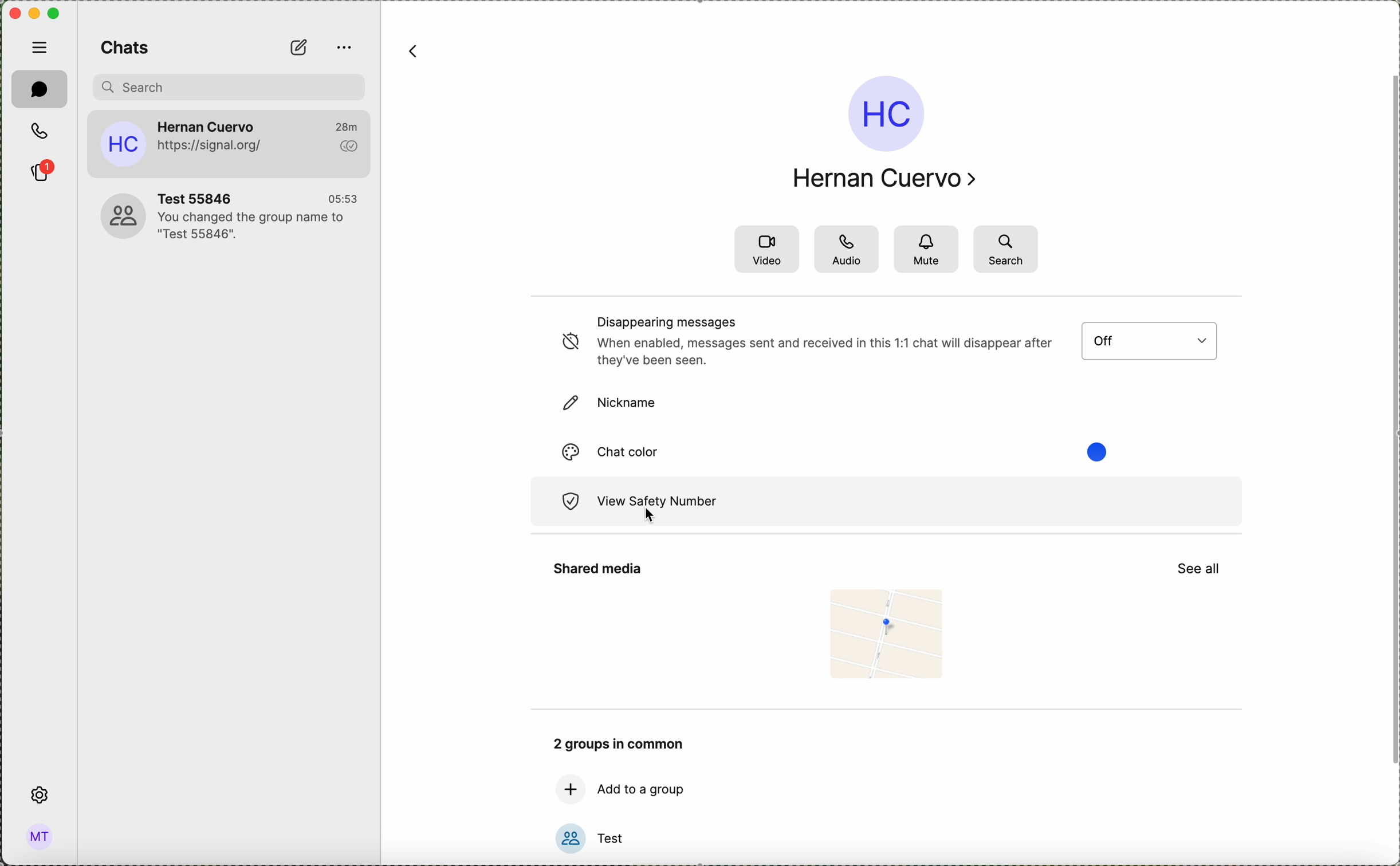  Describe the element at coordinates (32, 13) in the screenshot. I see `screen buttons` at that location.